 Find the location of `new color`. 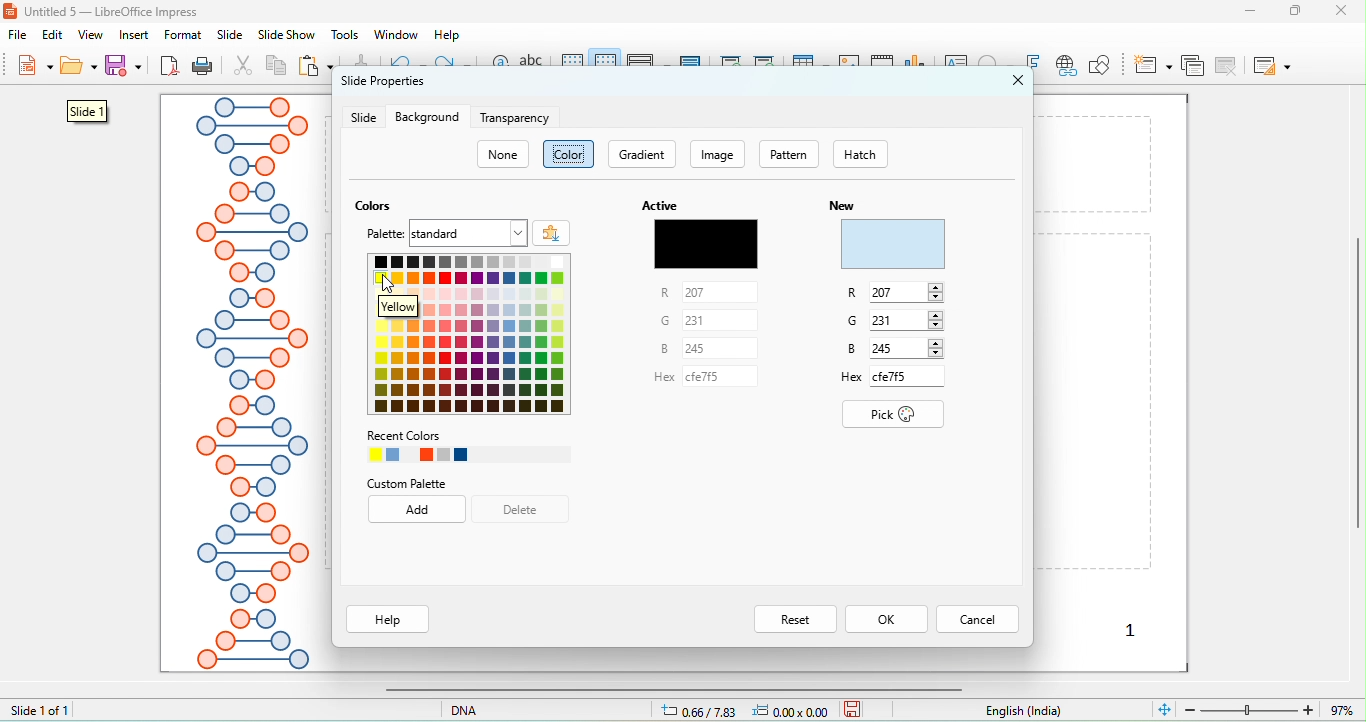

new color is located at coordinates (894, 245).